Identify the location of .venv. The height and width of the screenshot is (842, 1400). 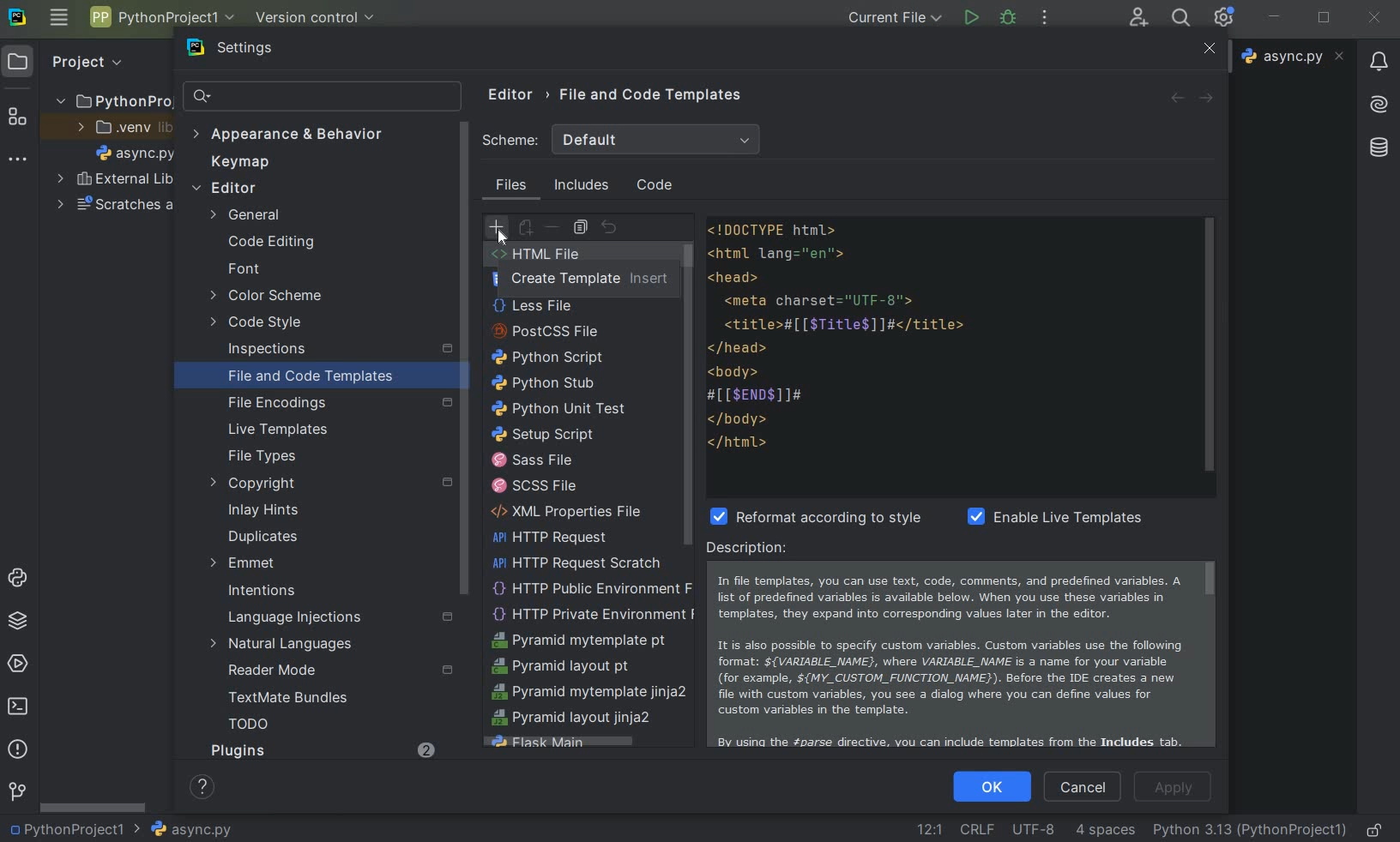
(124, 128).